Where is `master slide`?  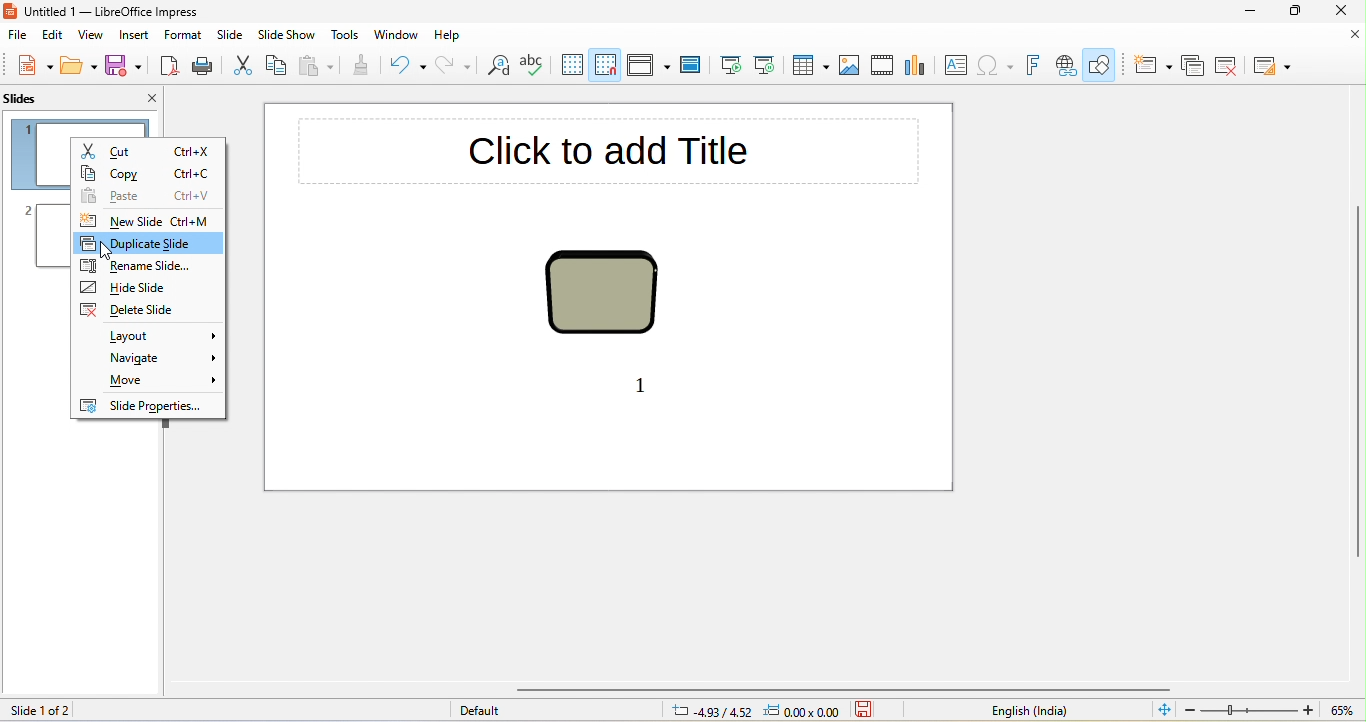
master slide is located at coordinates (695, 67).